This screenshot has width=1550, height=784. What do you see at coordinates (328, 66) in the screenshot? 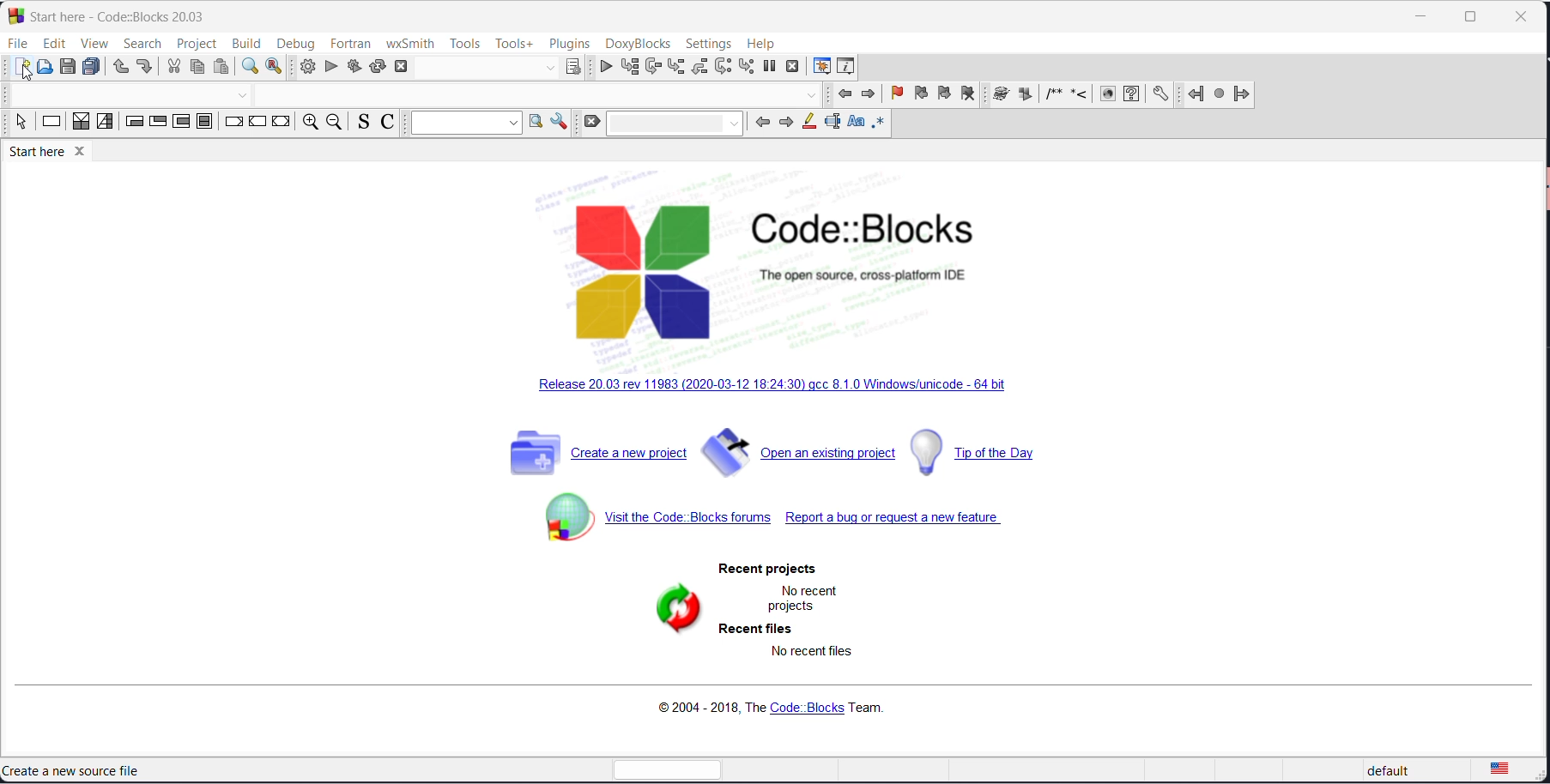
I see `run` at bounding box center [328, 66].